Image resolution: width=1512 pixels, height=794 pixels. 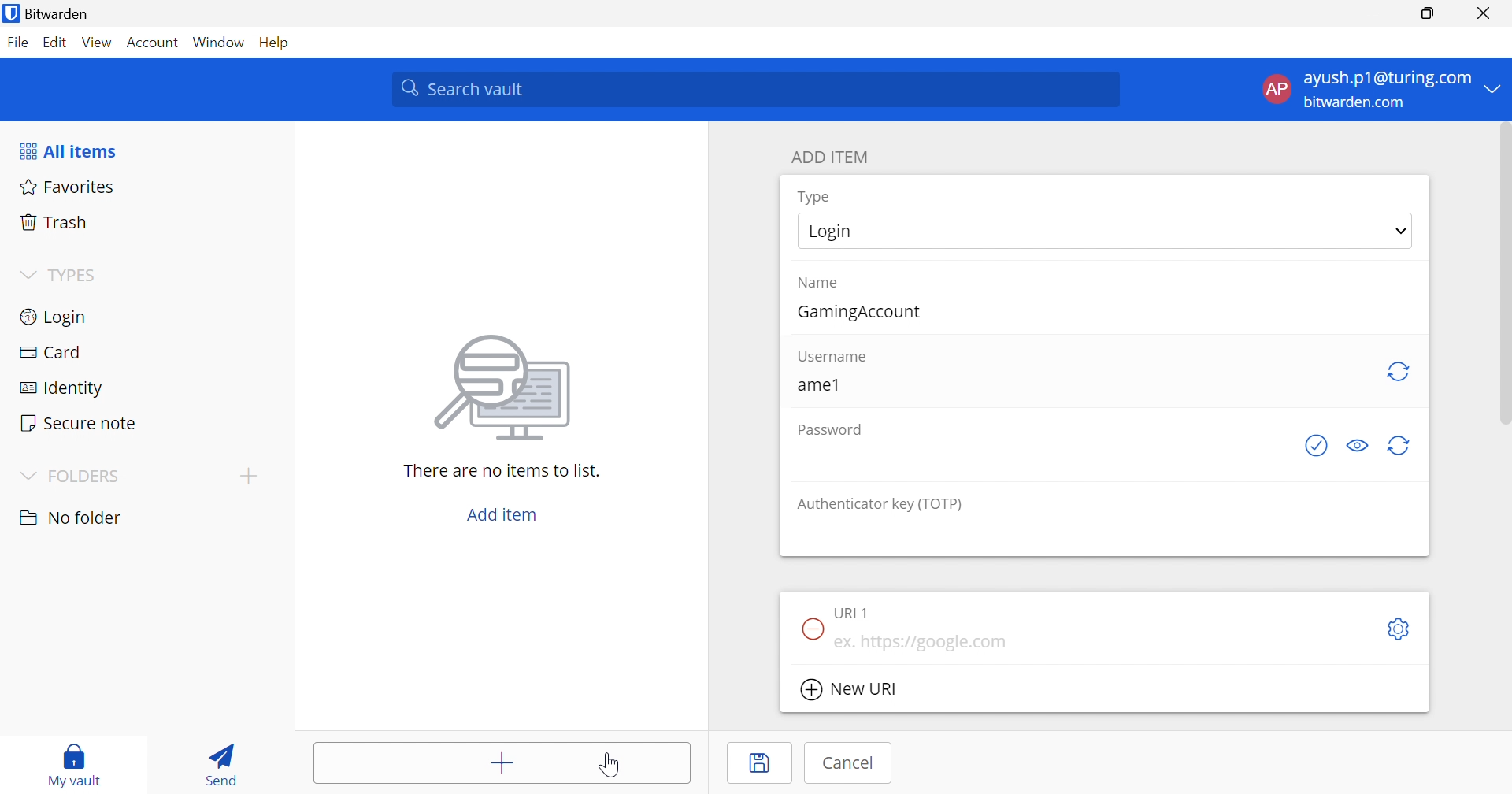 I want to click on GamingAccount, so click(x=863, y=313).